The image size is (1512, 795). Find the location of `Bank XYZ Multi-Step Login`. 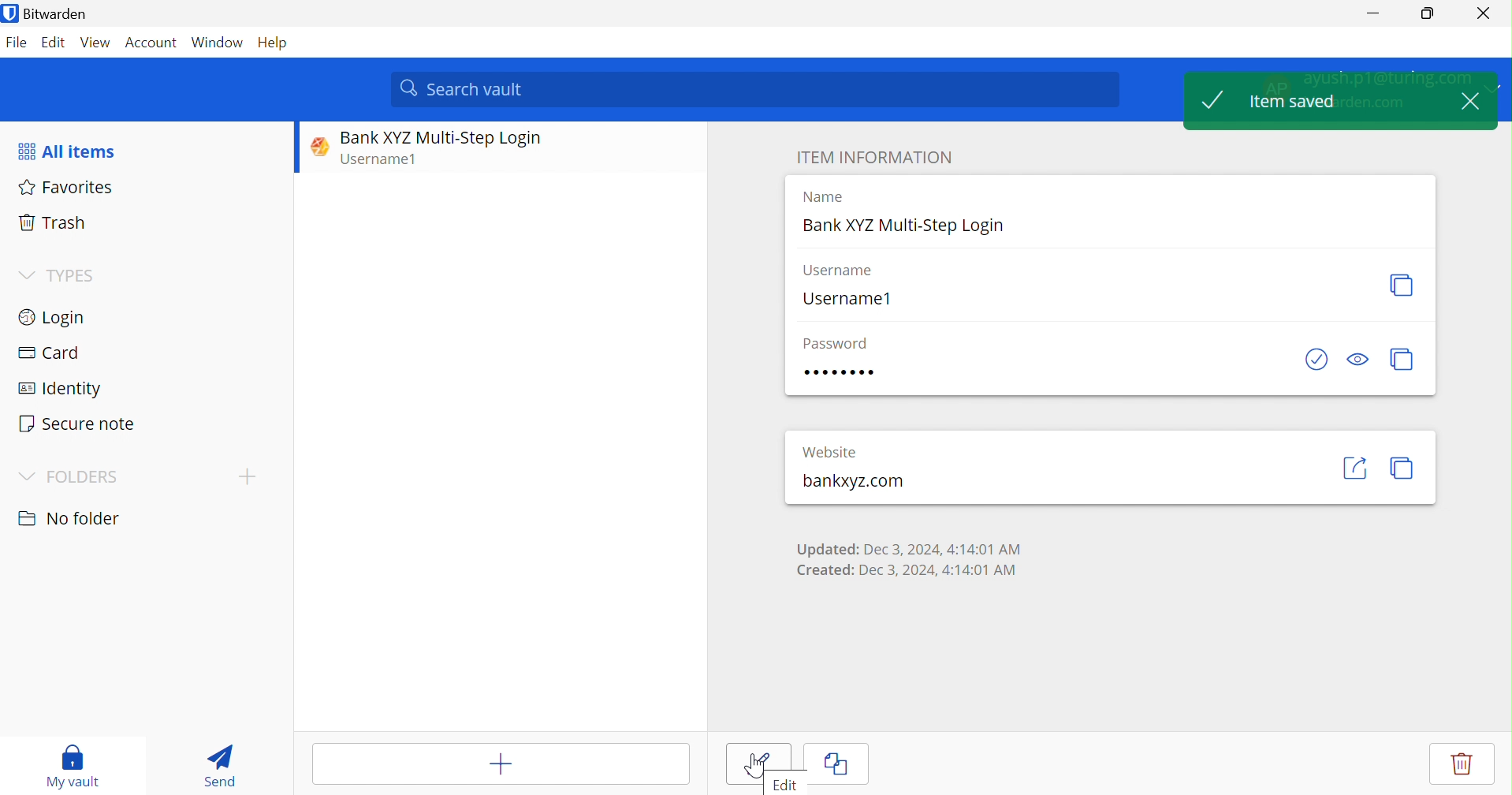

Bank XYZ Multi-Step Login is located at coordinates (441, 138).